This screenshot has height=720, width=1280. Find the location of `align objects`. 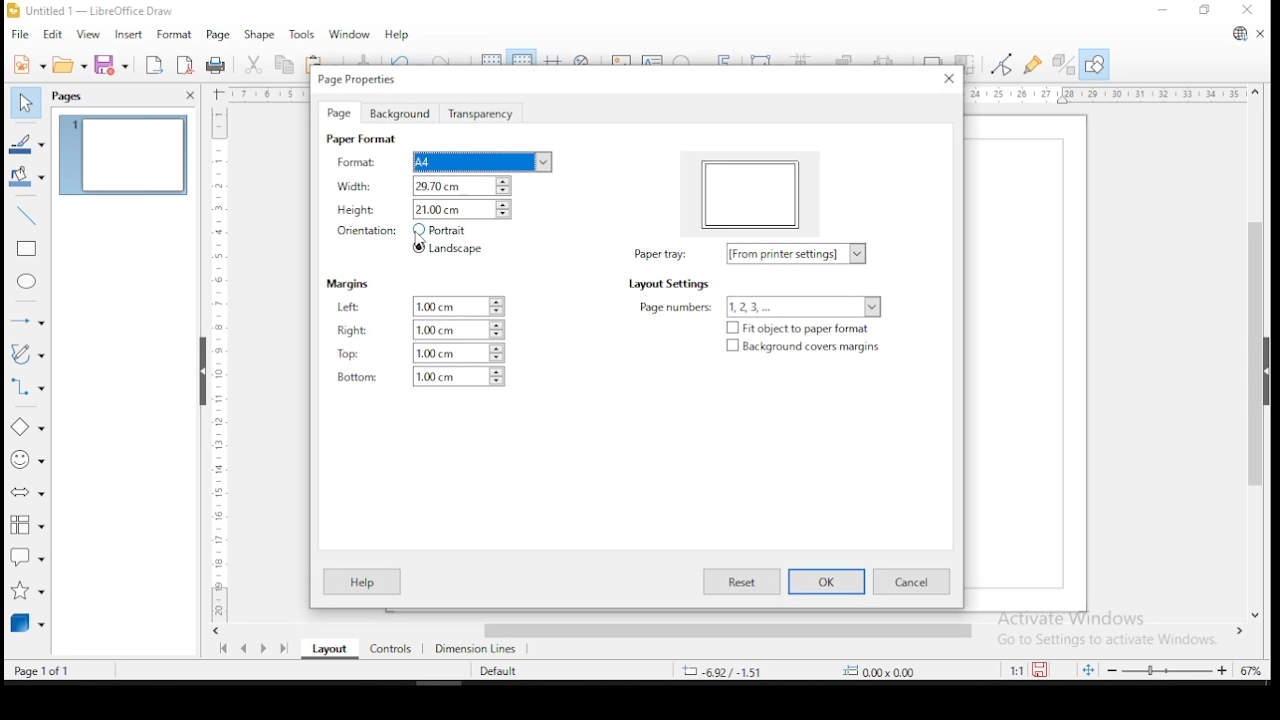

align objects is located at coordinates (806, 59).